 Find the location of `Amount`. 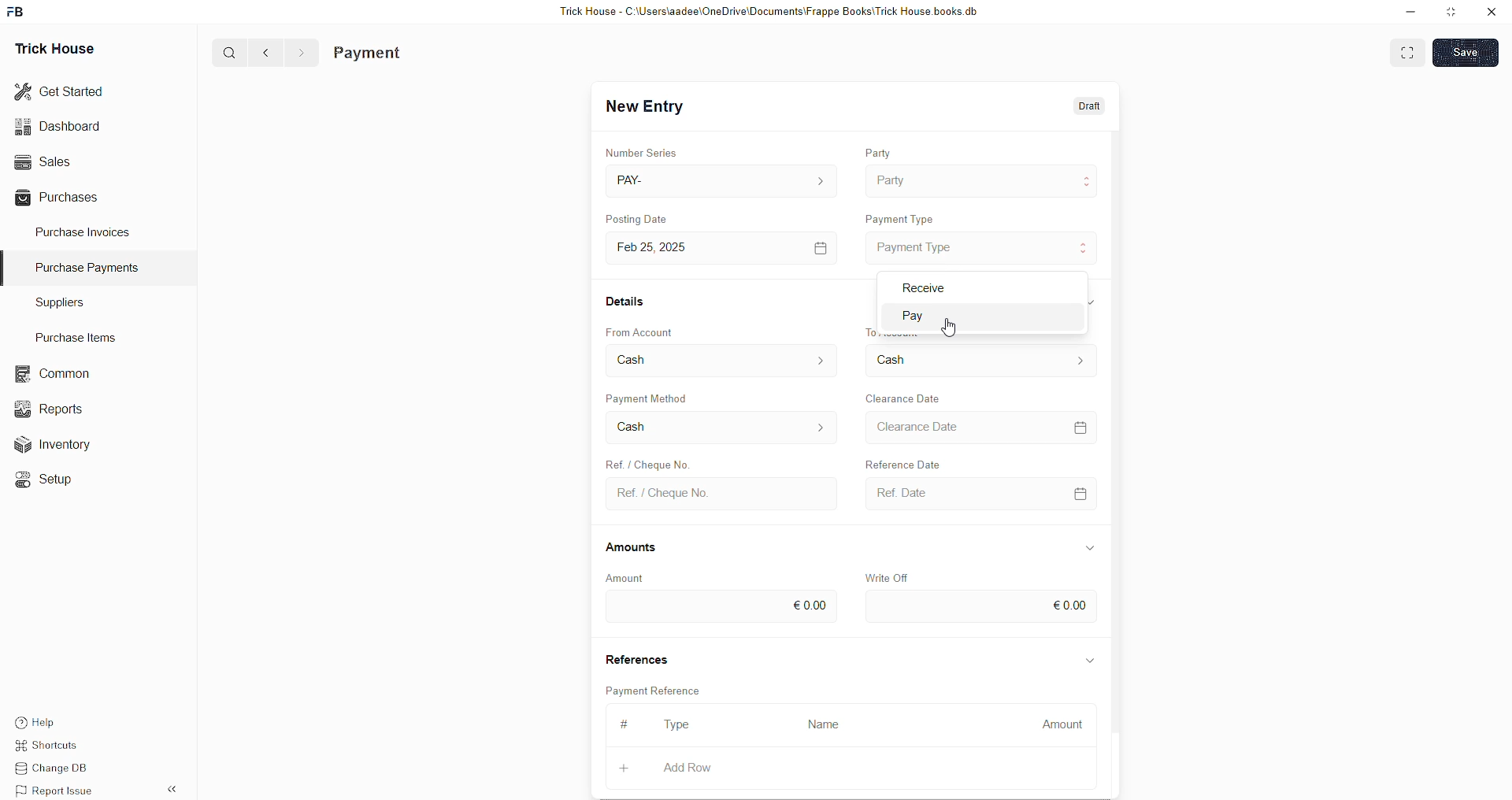

Amount is located at coordinates (625, 577).